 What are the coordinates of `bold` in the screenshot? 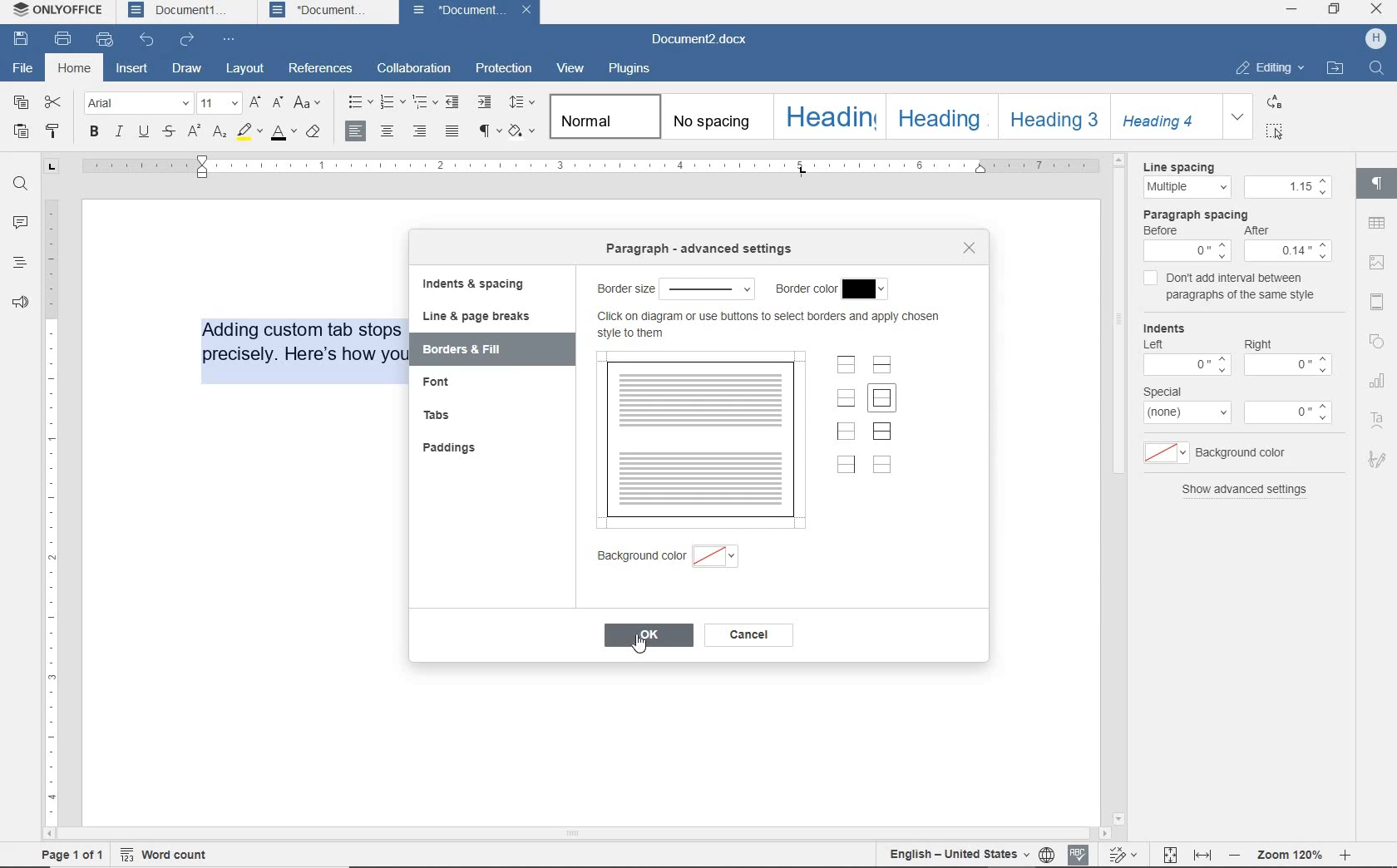 It's located at (95, 133).